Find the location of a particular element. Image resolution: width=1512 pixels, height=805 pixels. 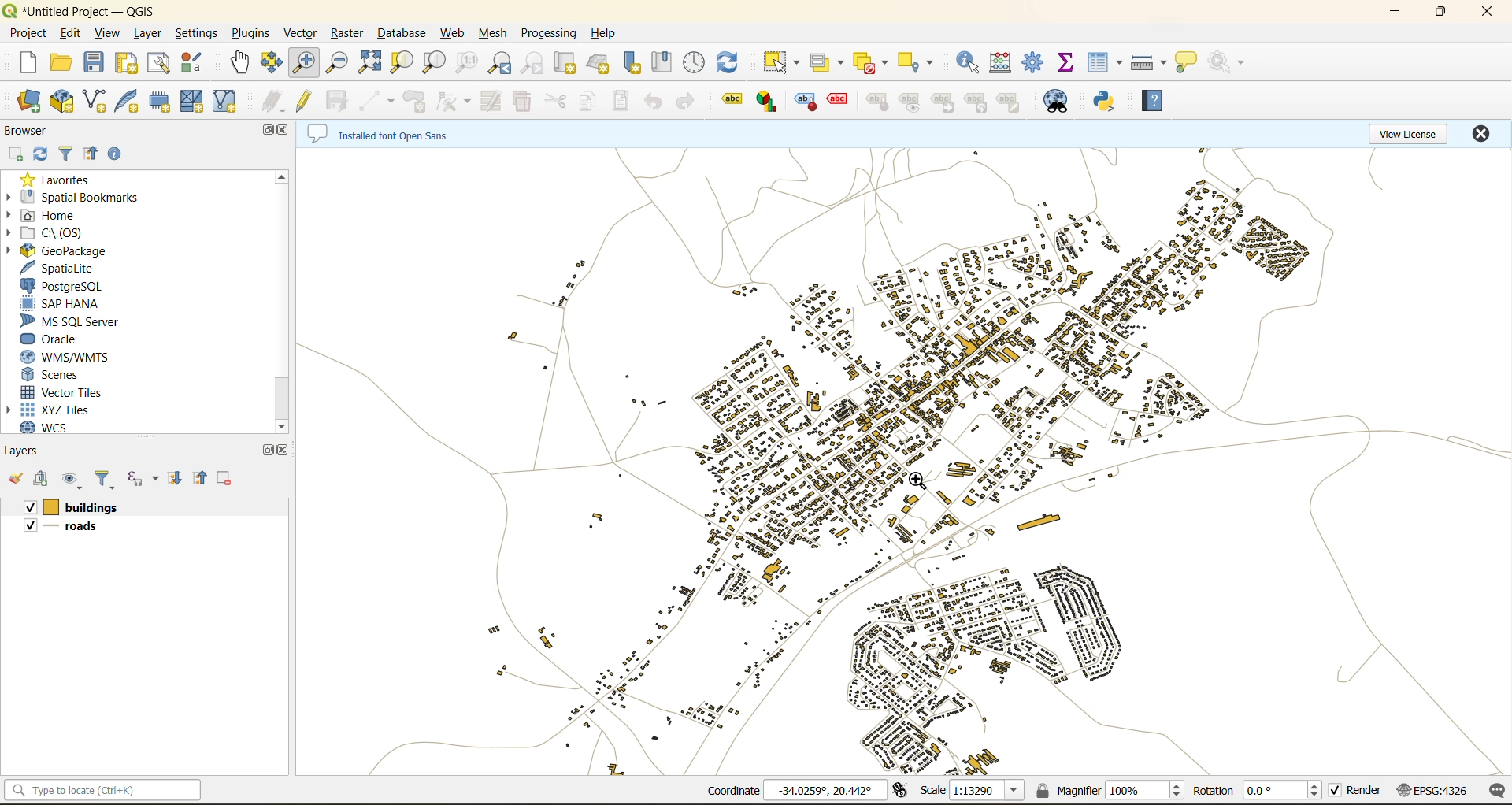

close is located at coordinates (287, 451).